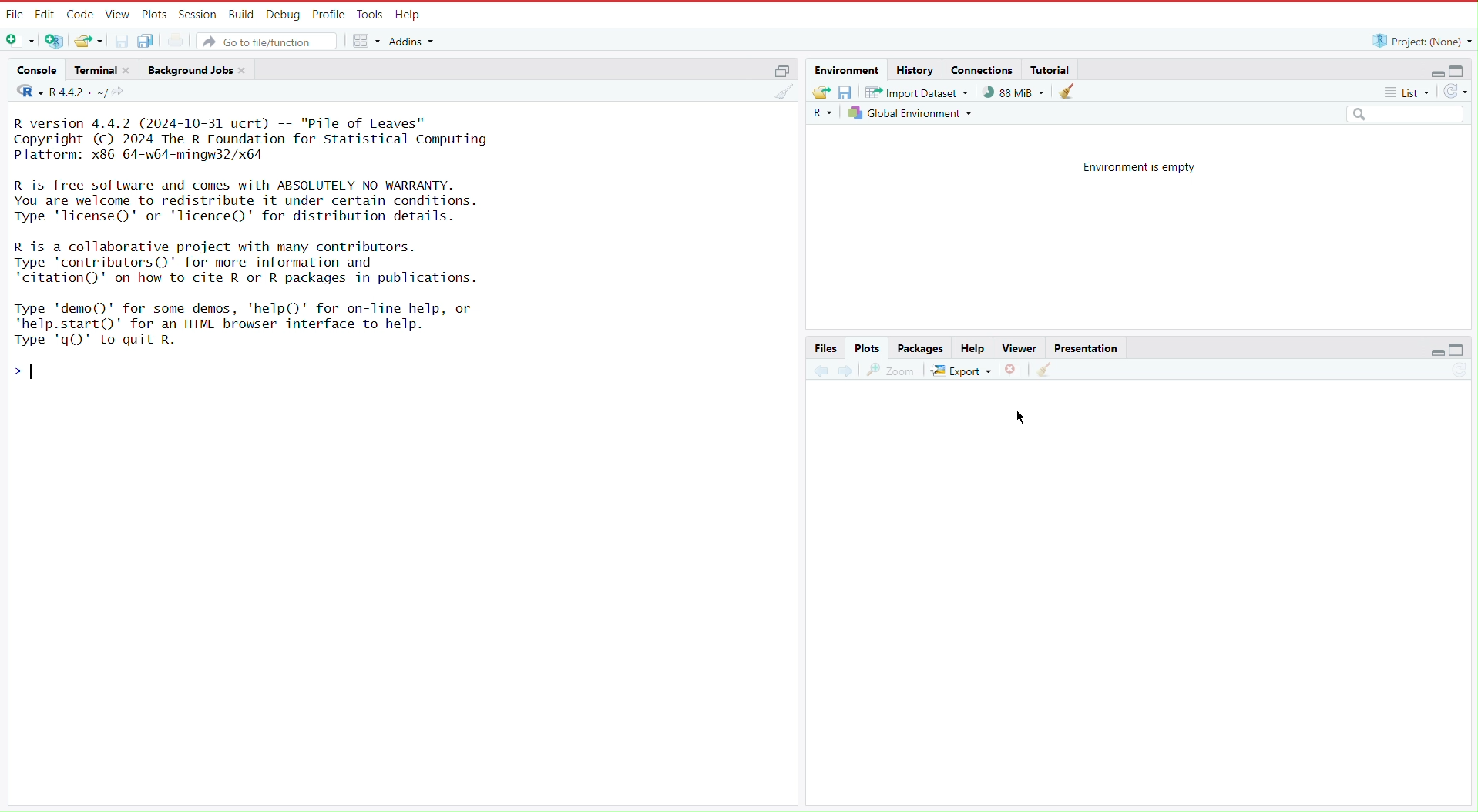  Describe the element at coordinates (123, 92) in the screenshot. I see `View the current working directory` at that location.